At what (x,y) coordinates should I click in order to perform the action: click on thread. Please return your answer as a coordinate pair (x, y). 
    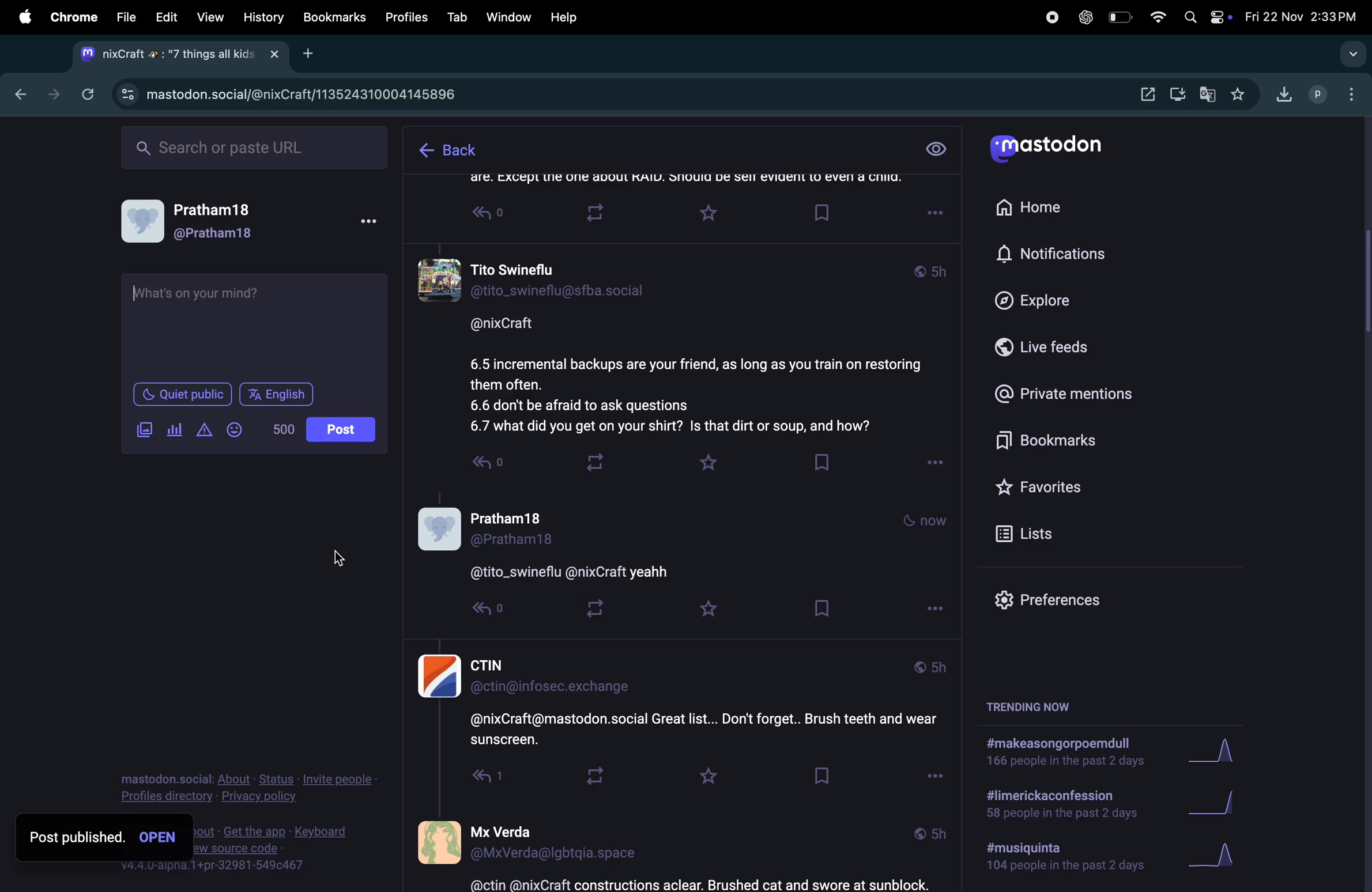
    Looking at the image, I should click on (689, 343).